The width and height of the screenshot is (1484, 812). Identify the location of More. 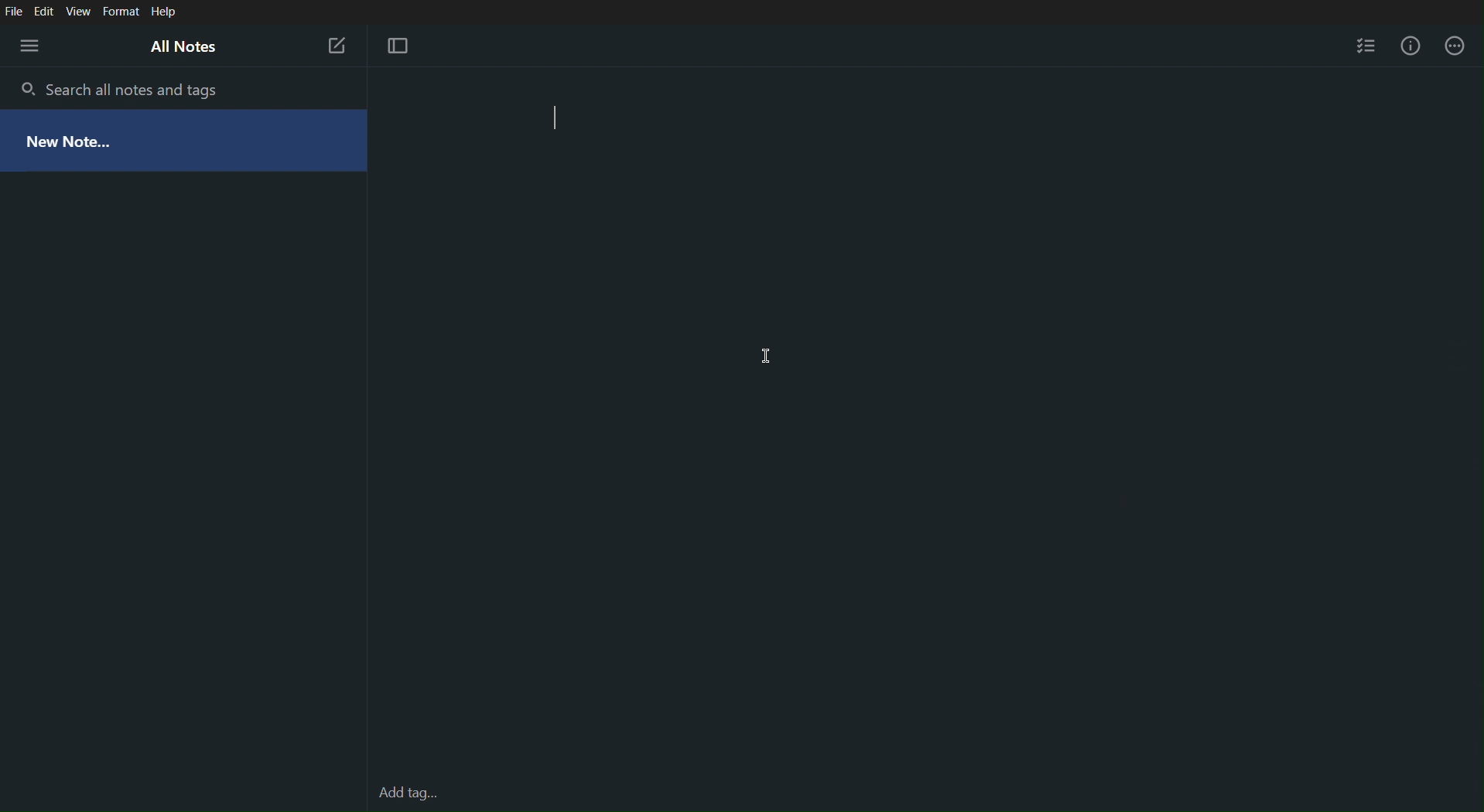
(1455, 46).